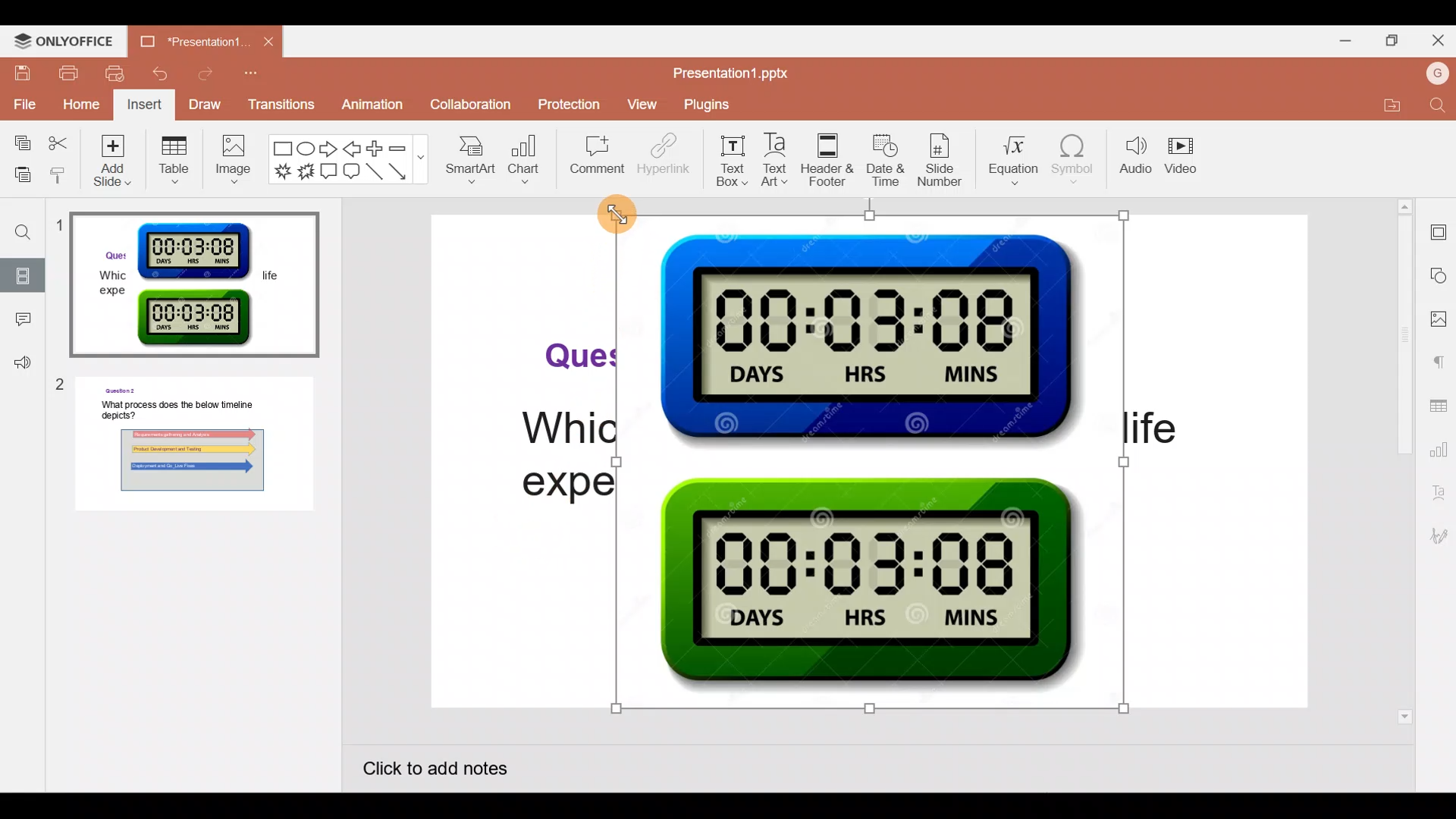 This screenshot has height=819, width=1456. I want to click on Slide settings, so click(1439, 230).